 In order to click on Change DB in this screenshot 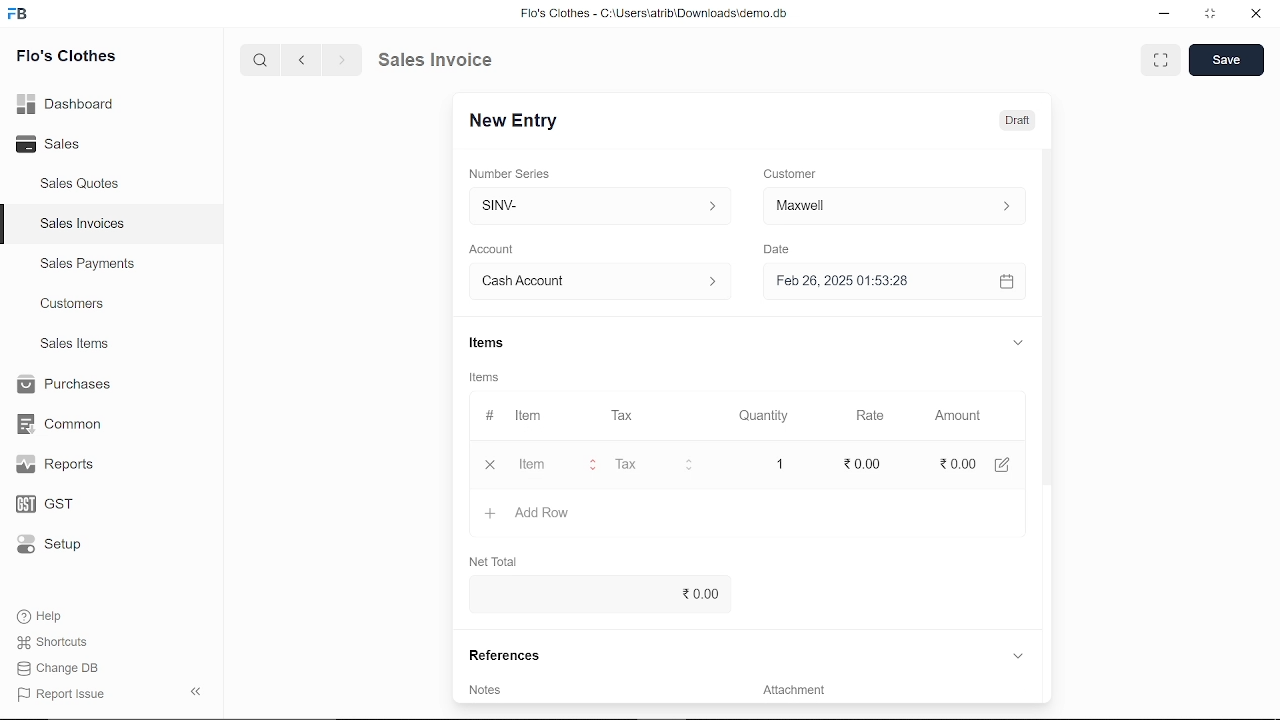, I will do `click(64, 668)`.